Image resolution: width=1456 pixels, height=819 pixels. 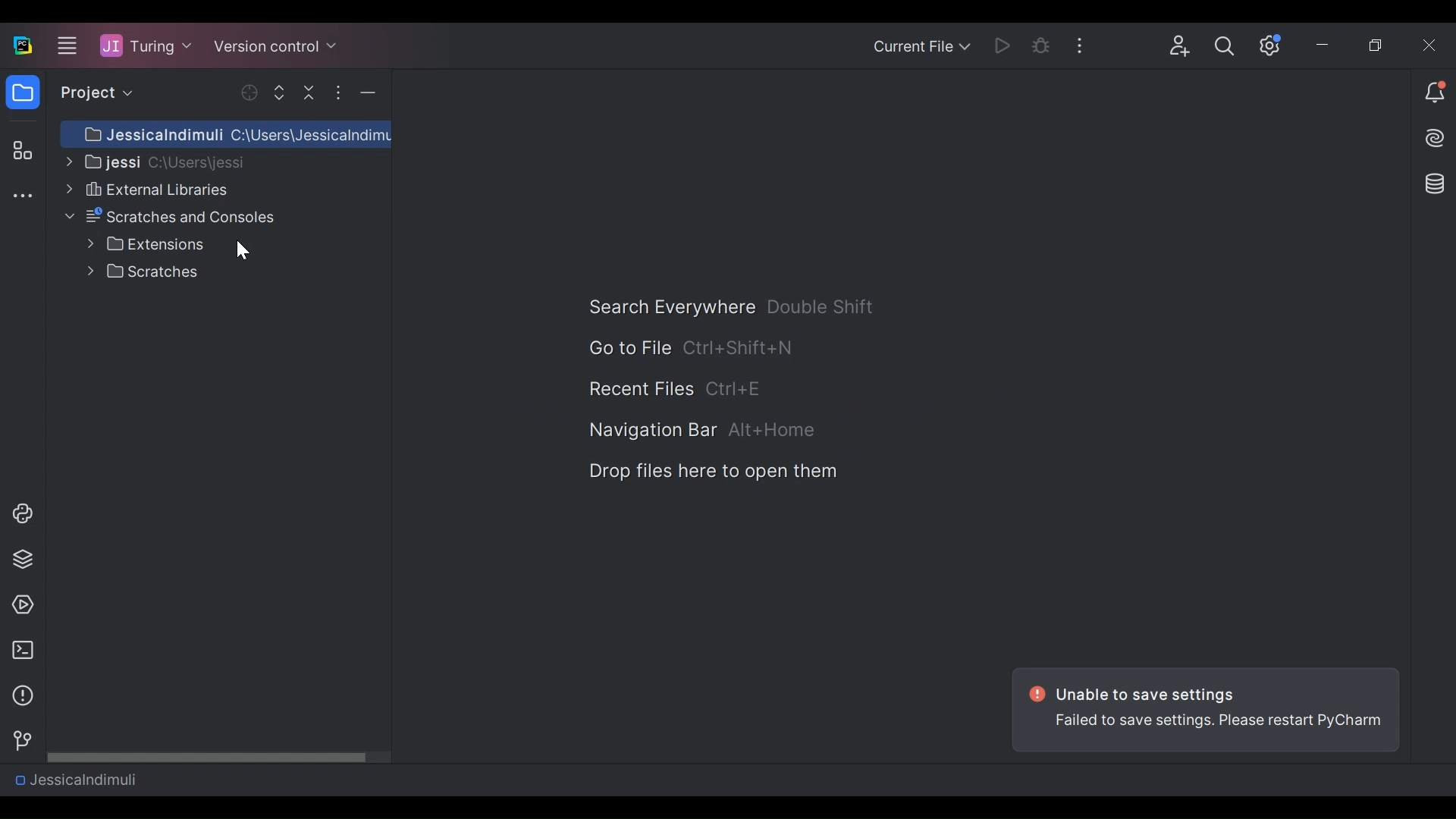 I want to click on Unable to save settings, so click(x=1154, y=694).